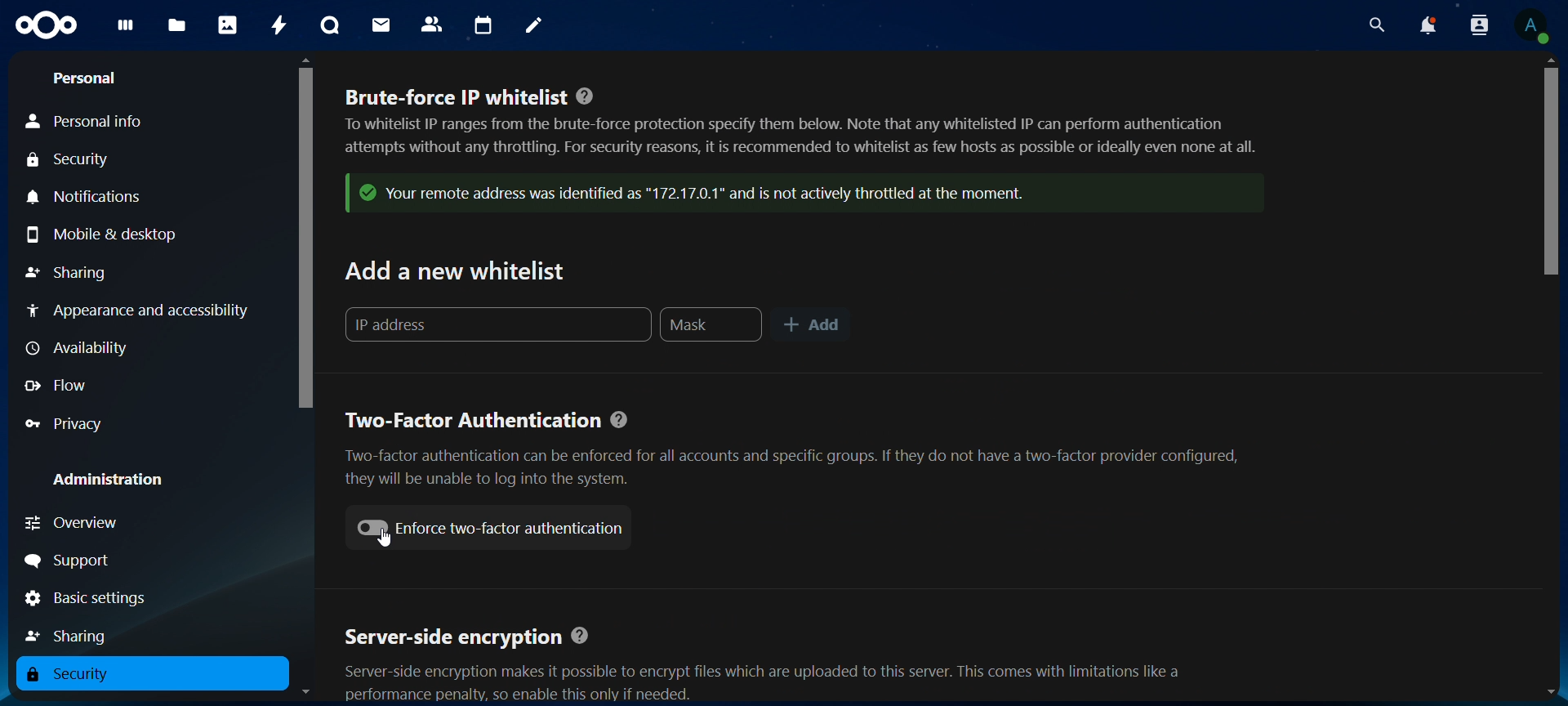 The width and height of the screenshot is (1568, 706). What do you see at coordinates (56, 387) in the screenshot?
I see `flow` at bounding box center [56, 387].